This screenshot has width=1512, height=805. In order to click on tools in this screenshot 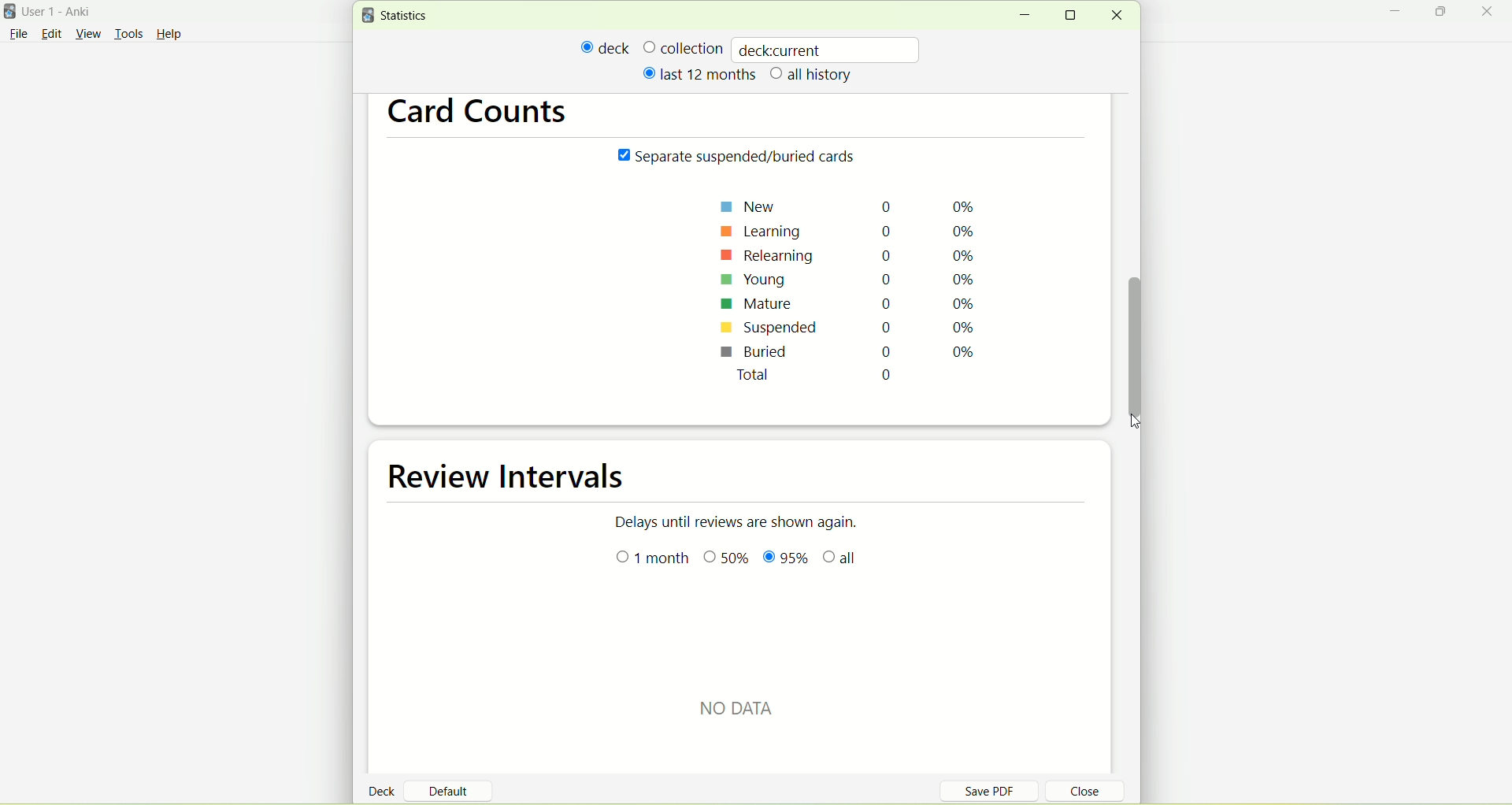, I will do `click(128, 35)`.